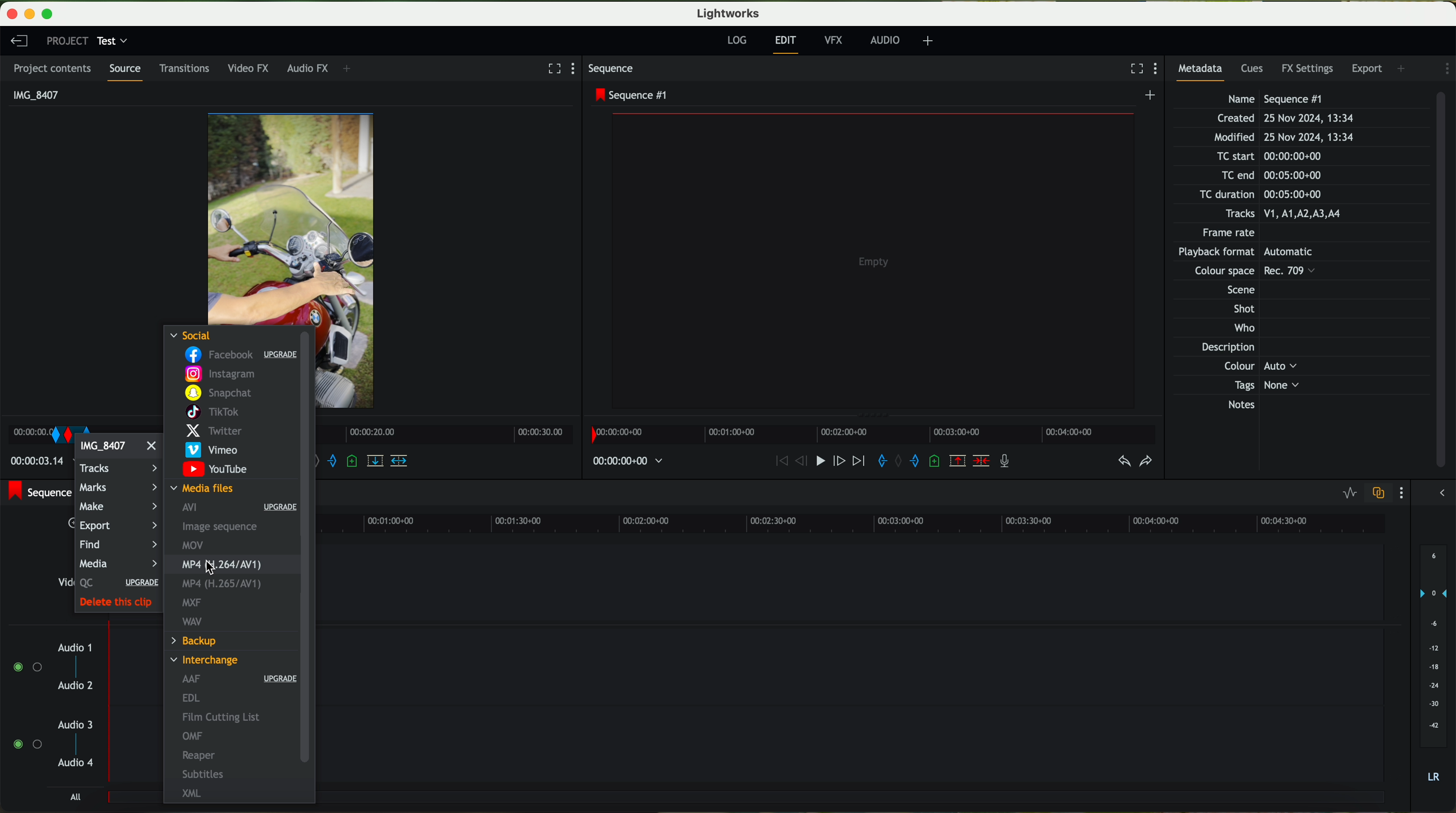 This screenshot has height=813, width=1456. Describe the element at coordinates (1256, 253) in the screenshot. I see `` at that location.